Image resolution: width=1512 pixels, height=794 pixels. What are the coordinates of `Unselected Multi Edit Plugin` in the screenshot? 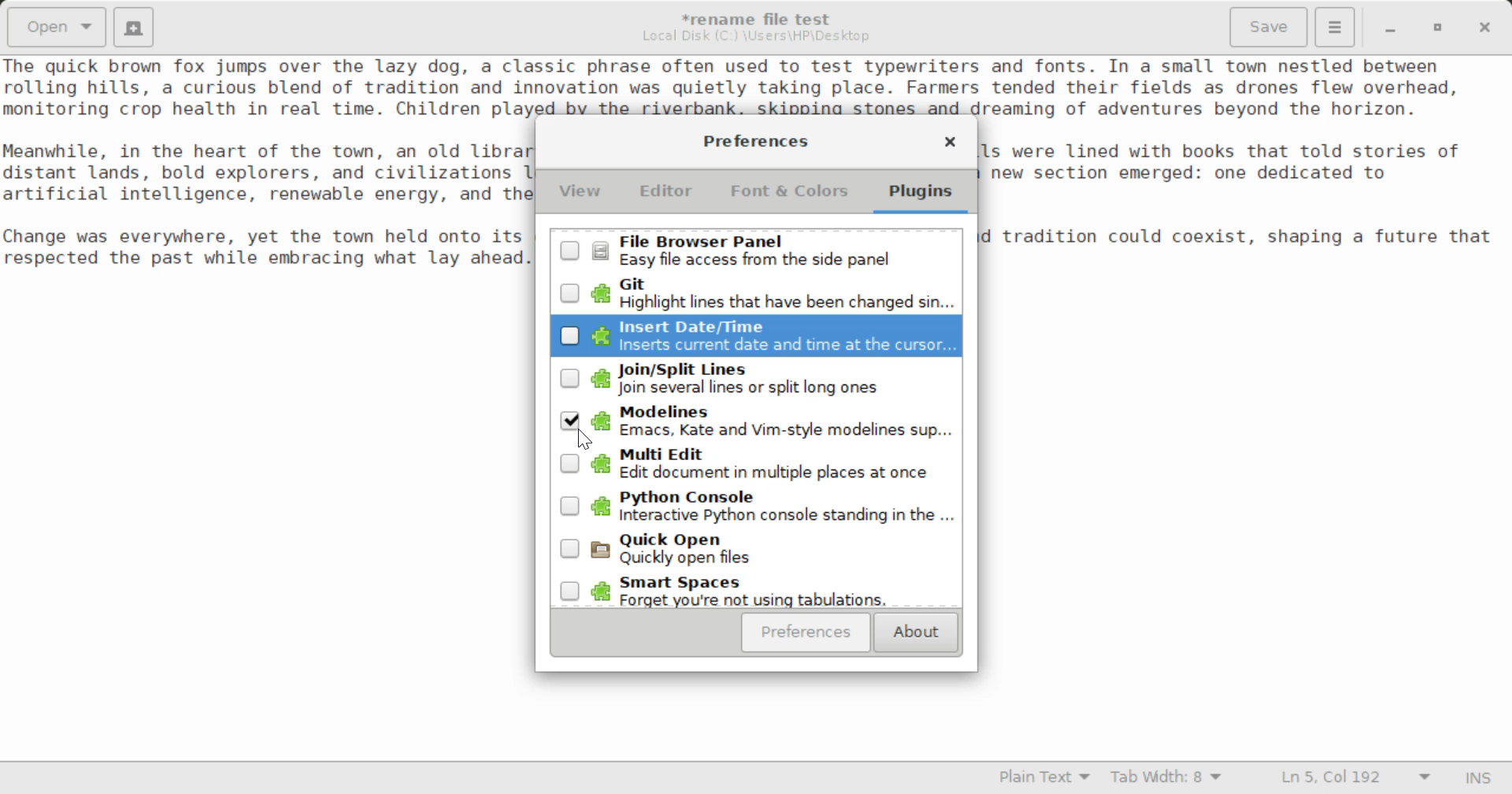 It's located at (754, 466).